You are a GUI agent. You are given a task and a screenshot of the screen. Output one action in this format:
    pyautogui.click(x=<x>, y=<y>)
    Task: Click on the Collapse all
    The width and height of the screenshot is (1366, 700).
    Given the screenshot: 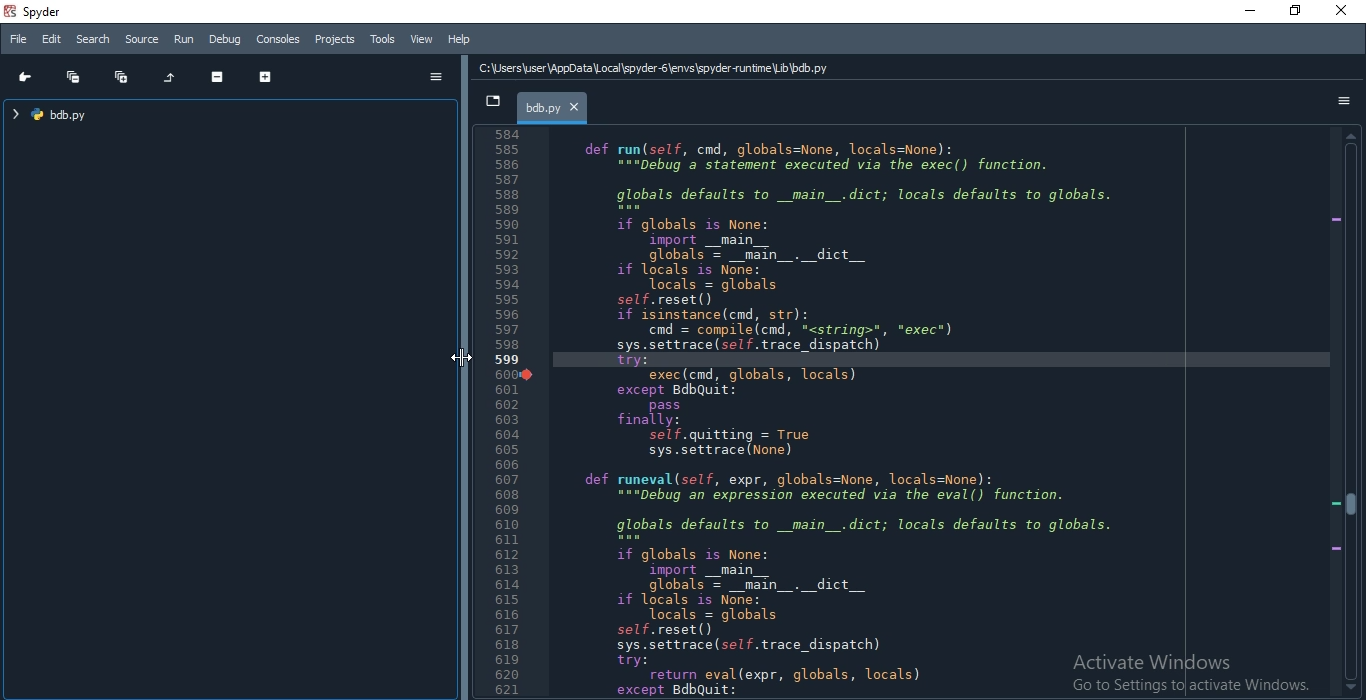 What is the action you would take?
    pyautogui.click(x=72, y=77)
    